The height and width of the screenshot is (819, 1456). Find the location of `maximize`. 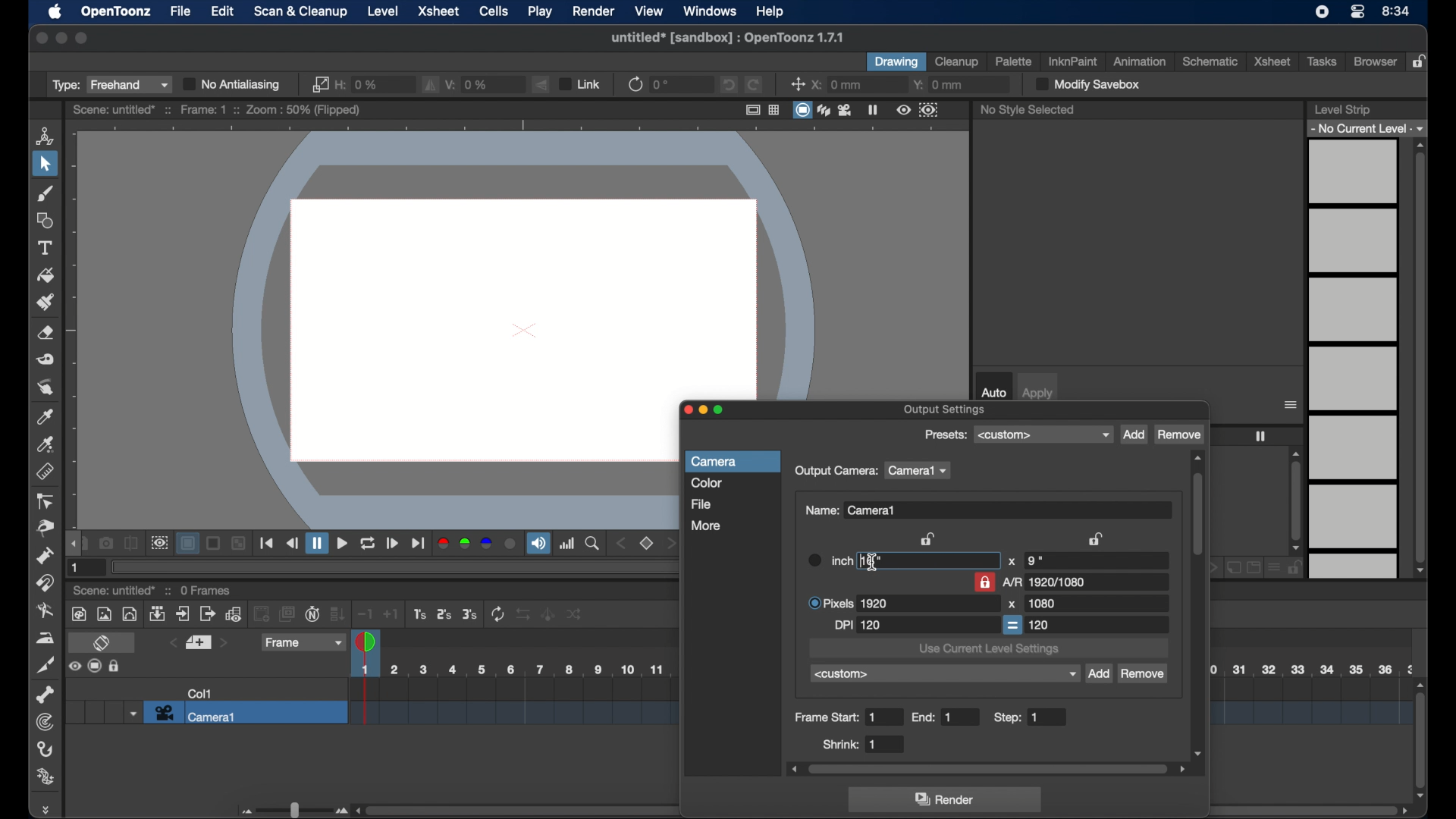

maximize is located at coordinates (82, 38).